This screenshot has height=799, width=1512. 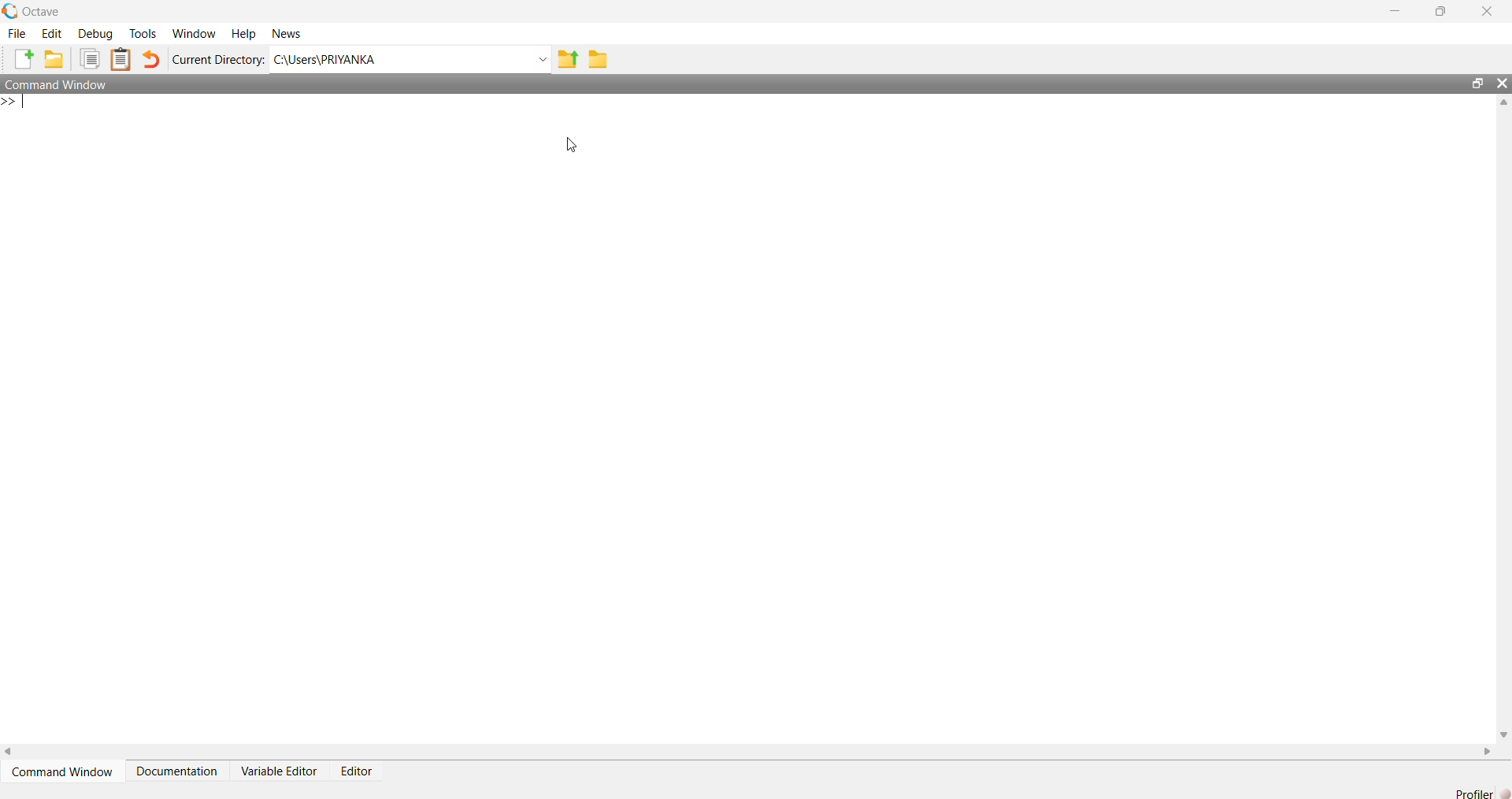 I want to click on New script, so click(x=24, y=59).